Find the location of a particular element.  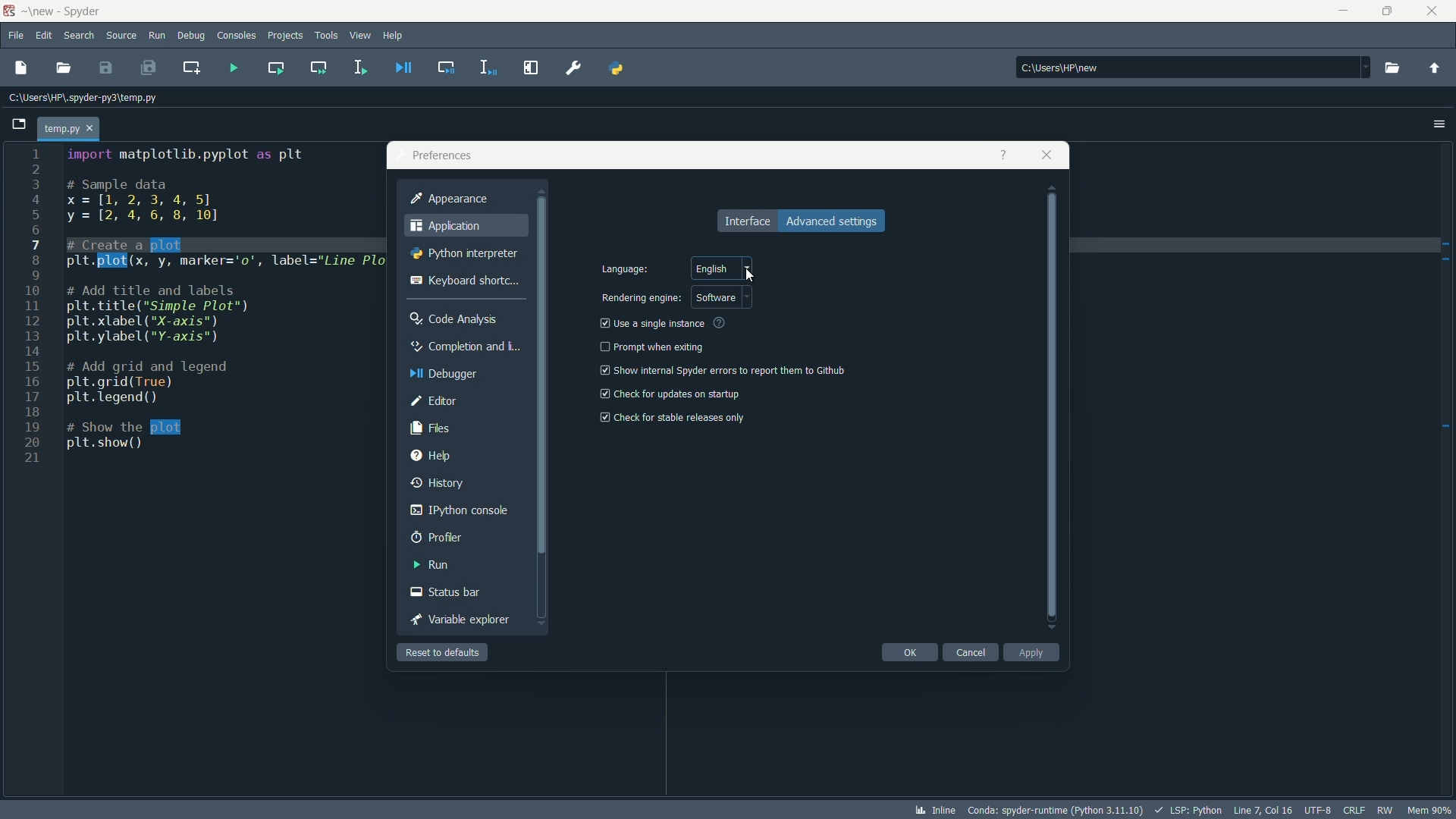

run is located at coordinates (157, 36).